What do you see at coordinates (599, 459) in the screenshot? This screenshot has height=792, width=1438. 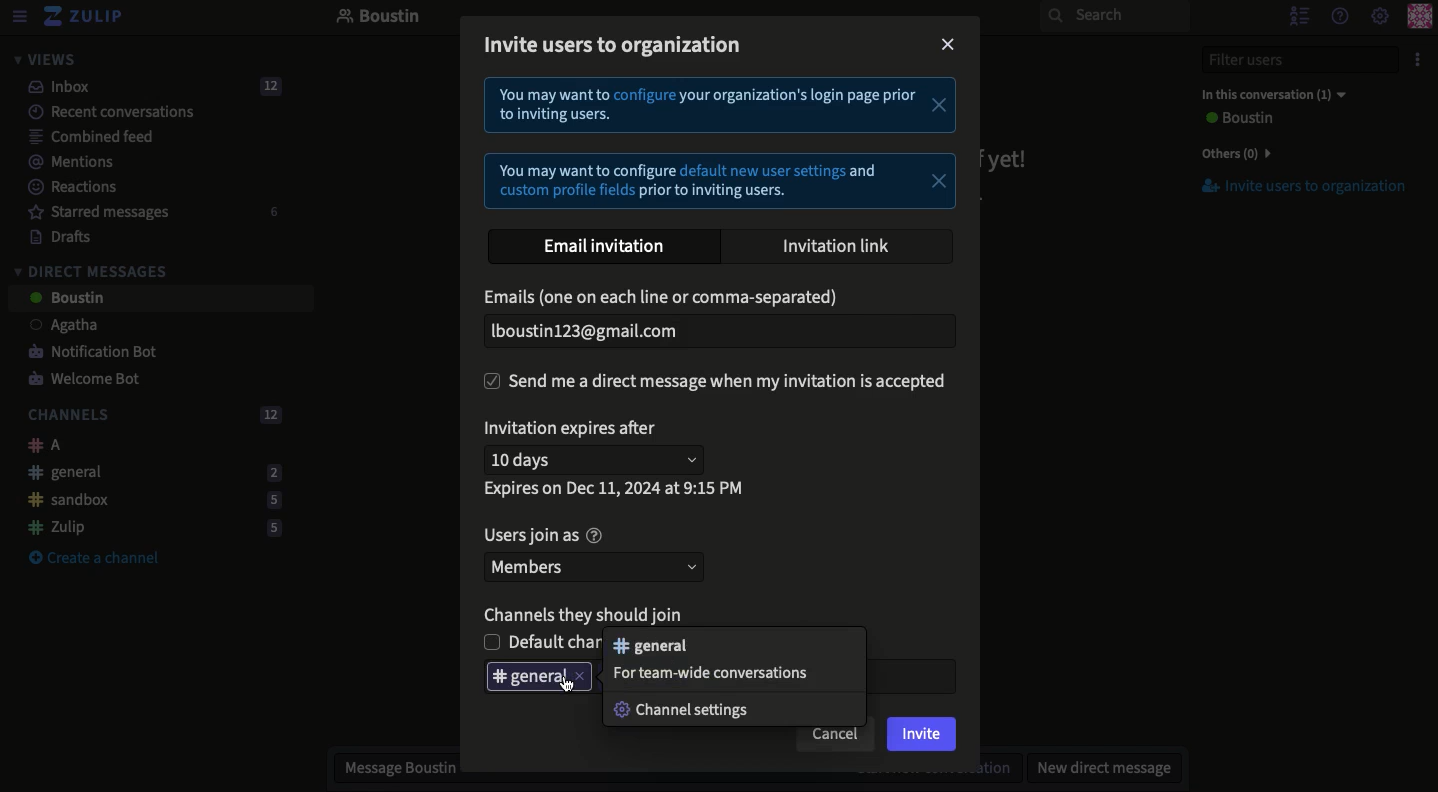 I see `10 days` at bounding box center [599, 459].